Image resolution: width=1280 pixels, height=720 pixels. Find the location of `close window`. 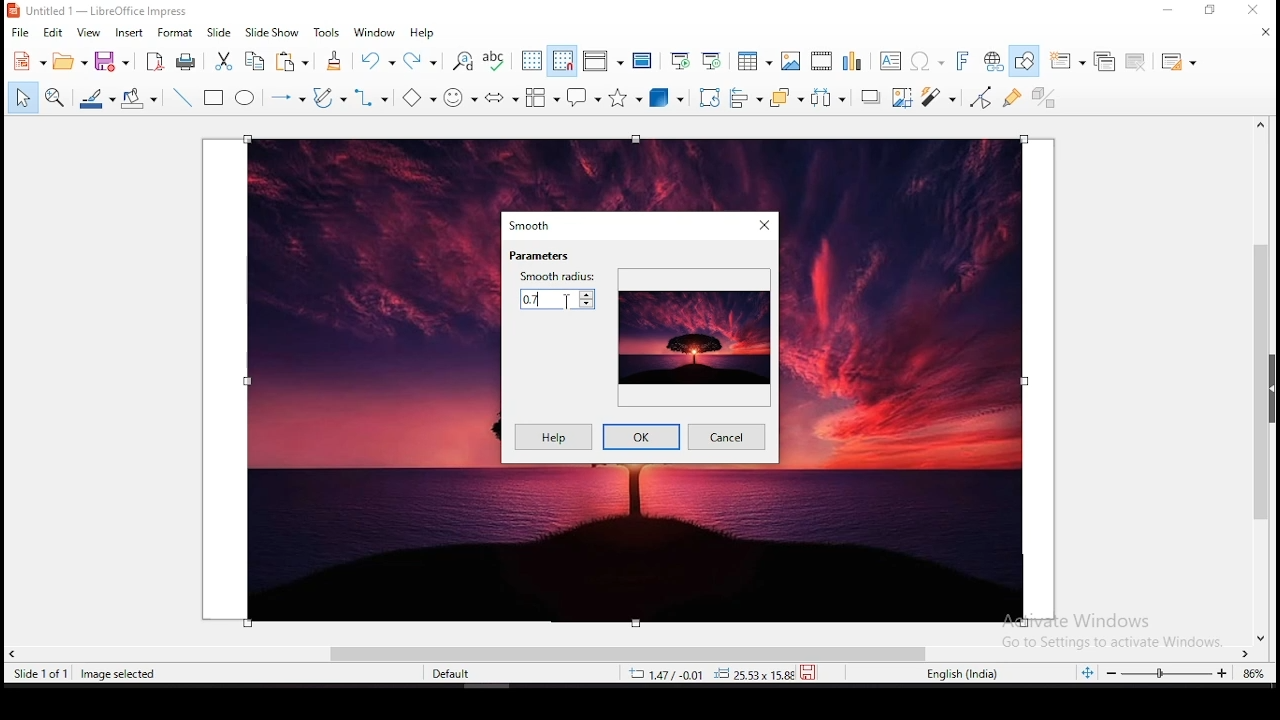

close window is located at coordinates (1253, 11).